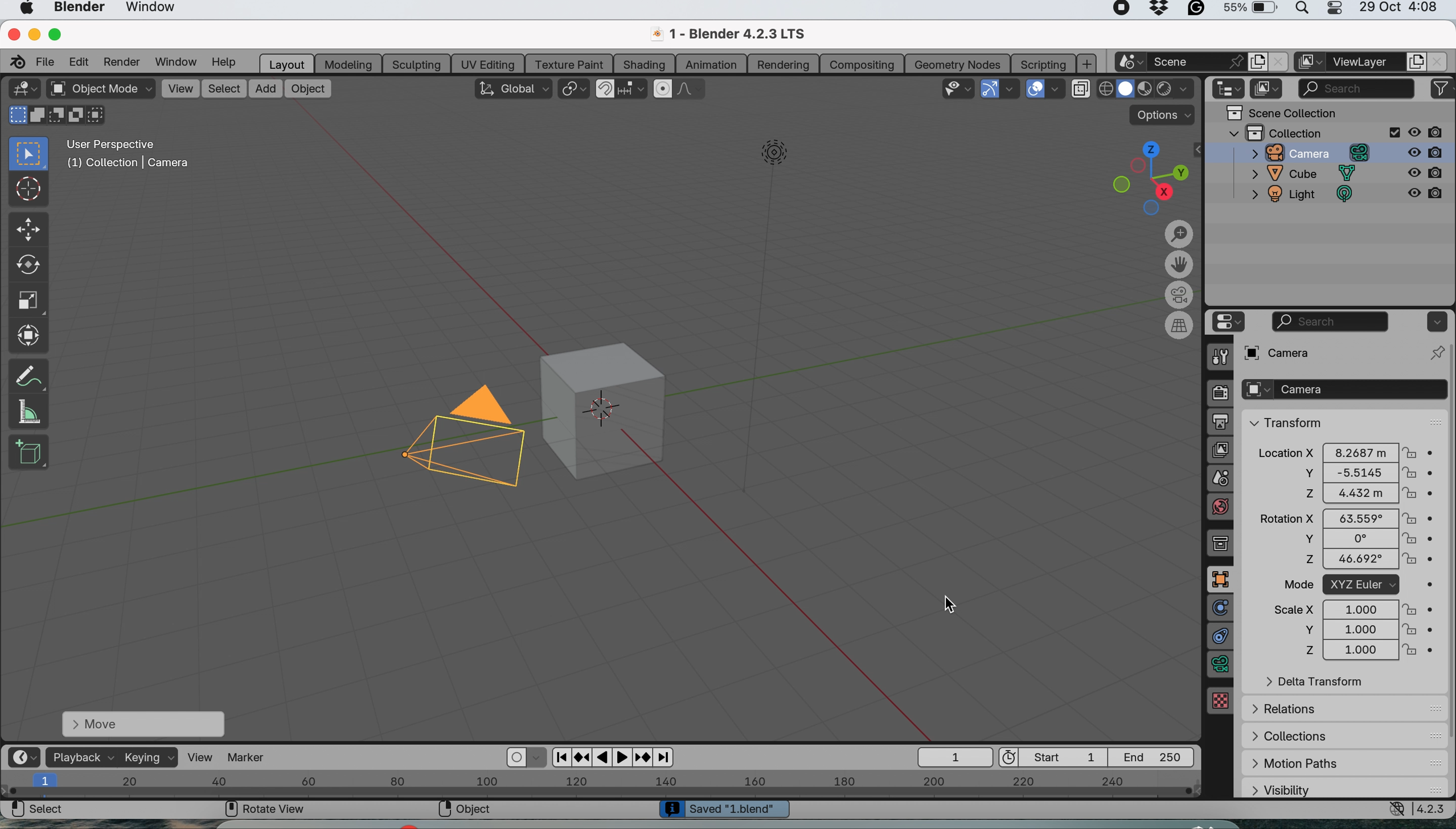  I want to click on y 1.000, so click(1354, 630).